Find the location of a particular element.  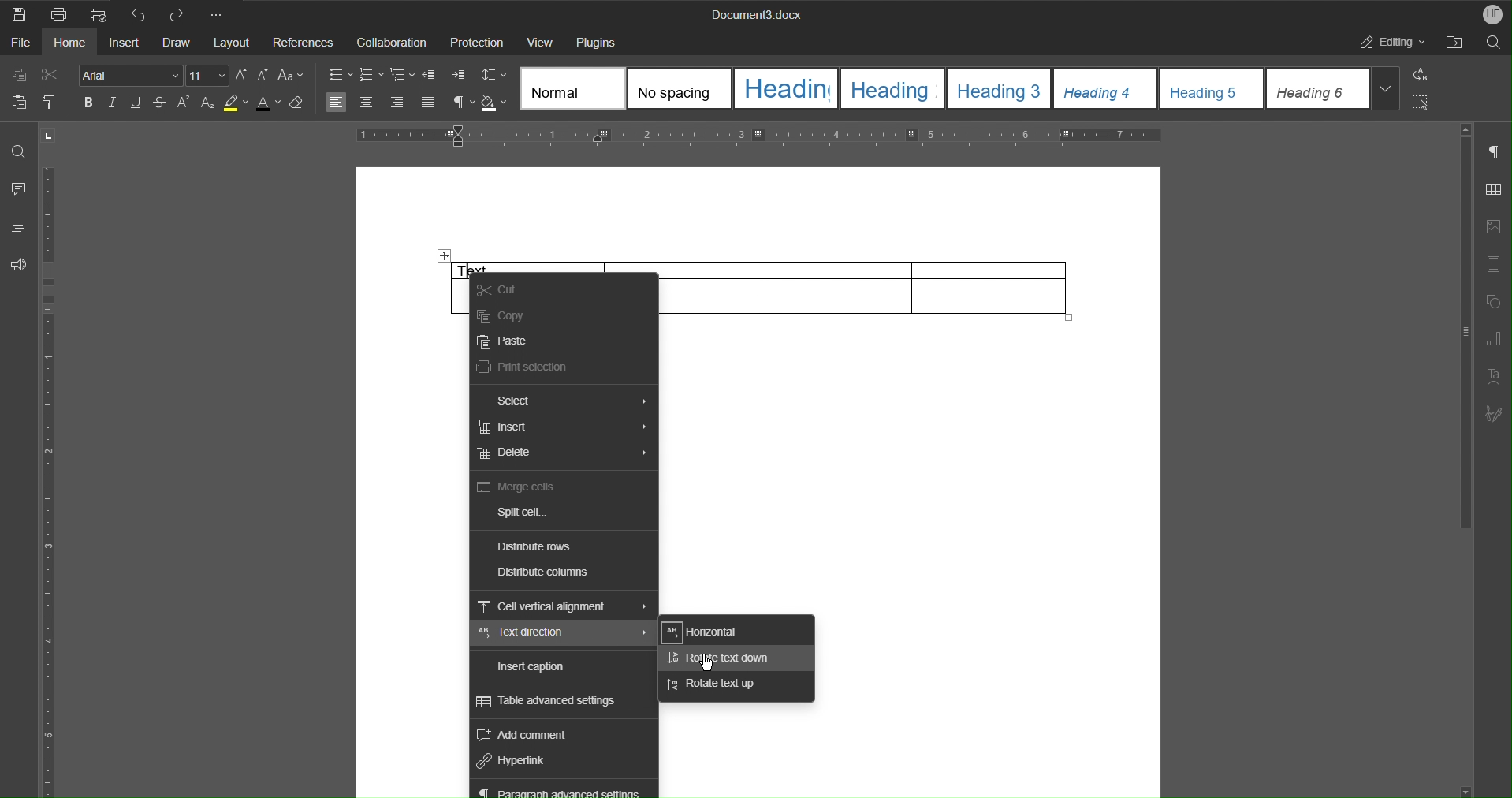

Insert is located at coordinates (124, 42).